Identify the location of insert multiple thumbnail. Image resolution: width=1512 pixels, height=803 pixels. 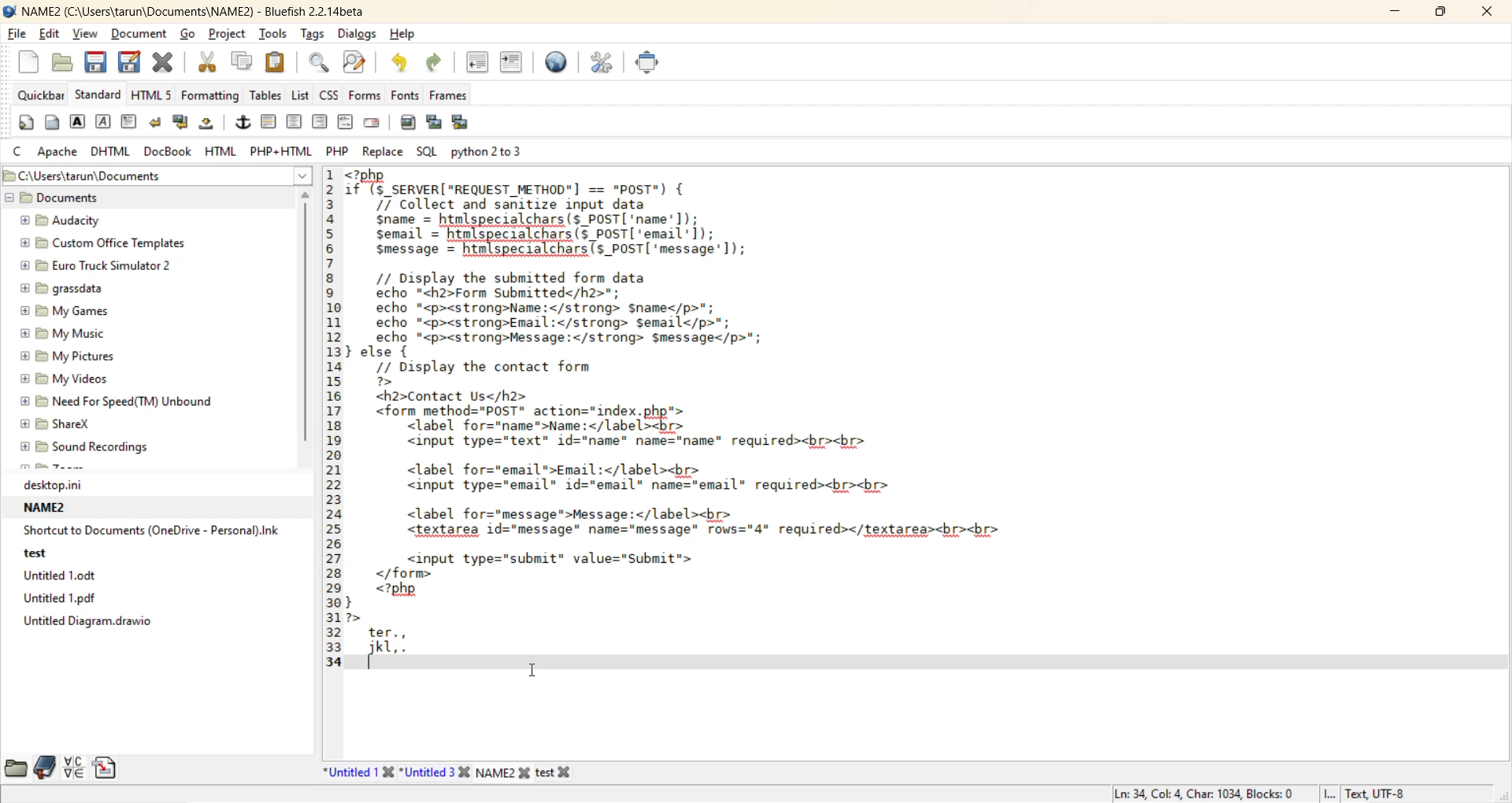
(464, 122).